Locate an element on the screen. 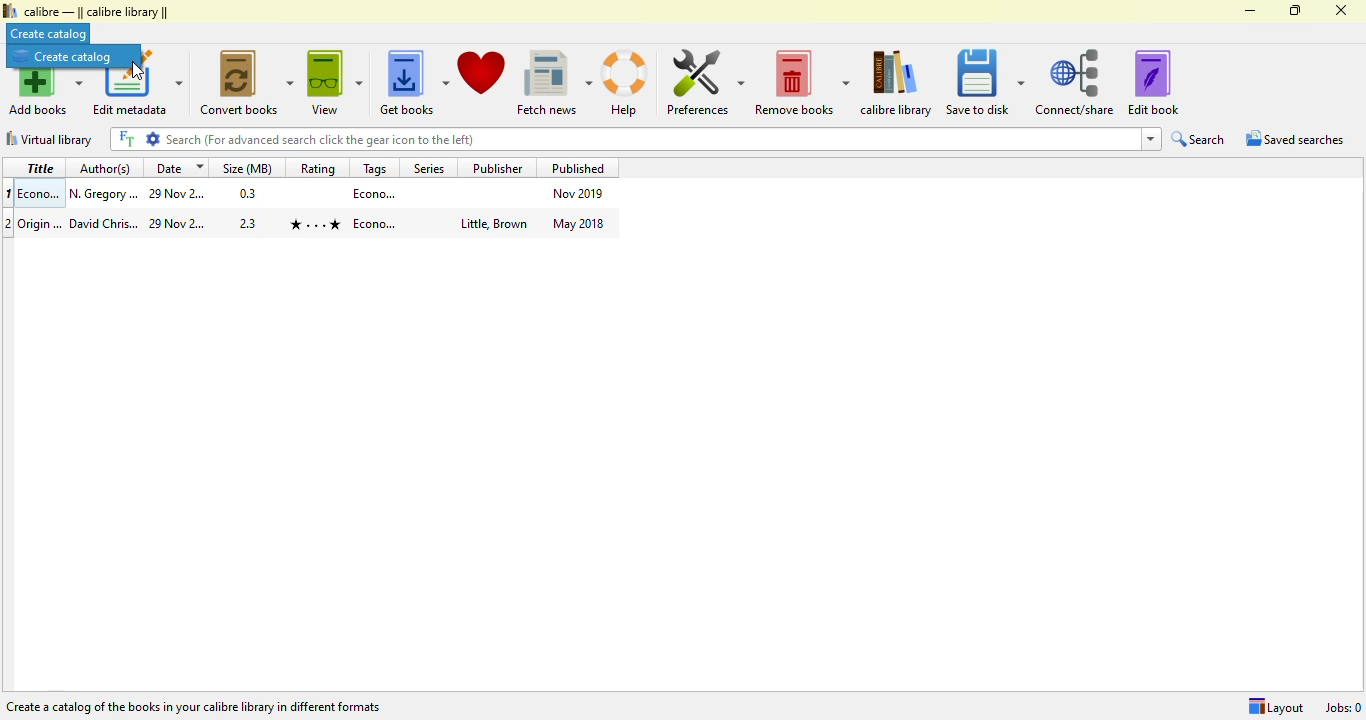  publisher is located at coordinates (498, 167).